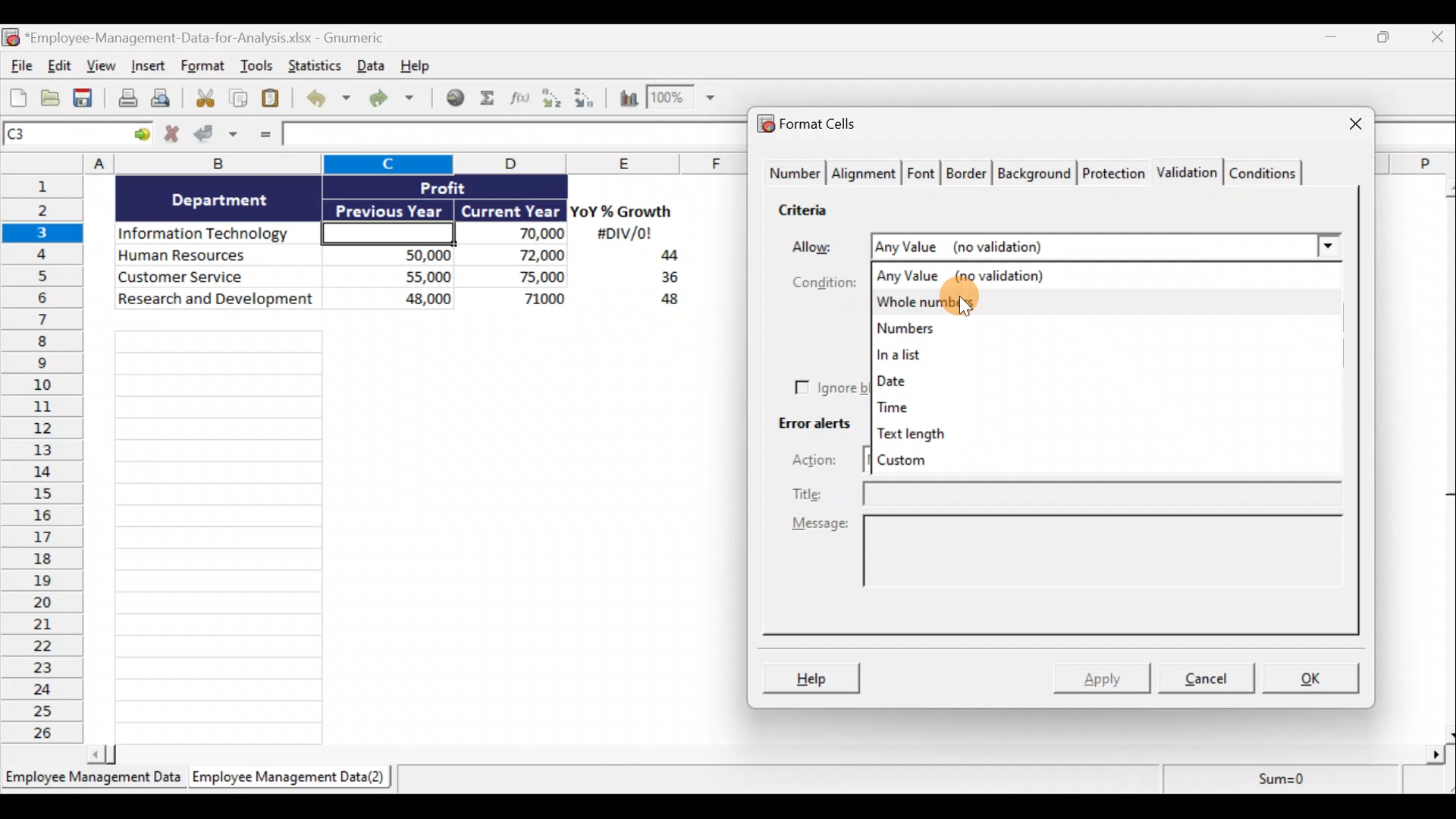 The image size is (1456, 819). What do you see at coordinates (965, 300) in the screenshot?
I see `Cursor` at bounding box center [965, 300].